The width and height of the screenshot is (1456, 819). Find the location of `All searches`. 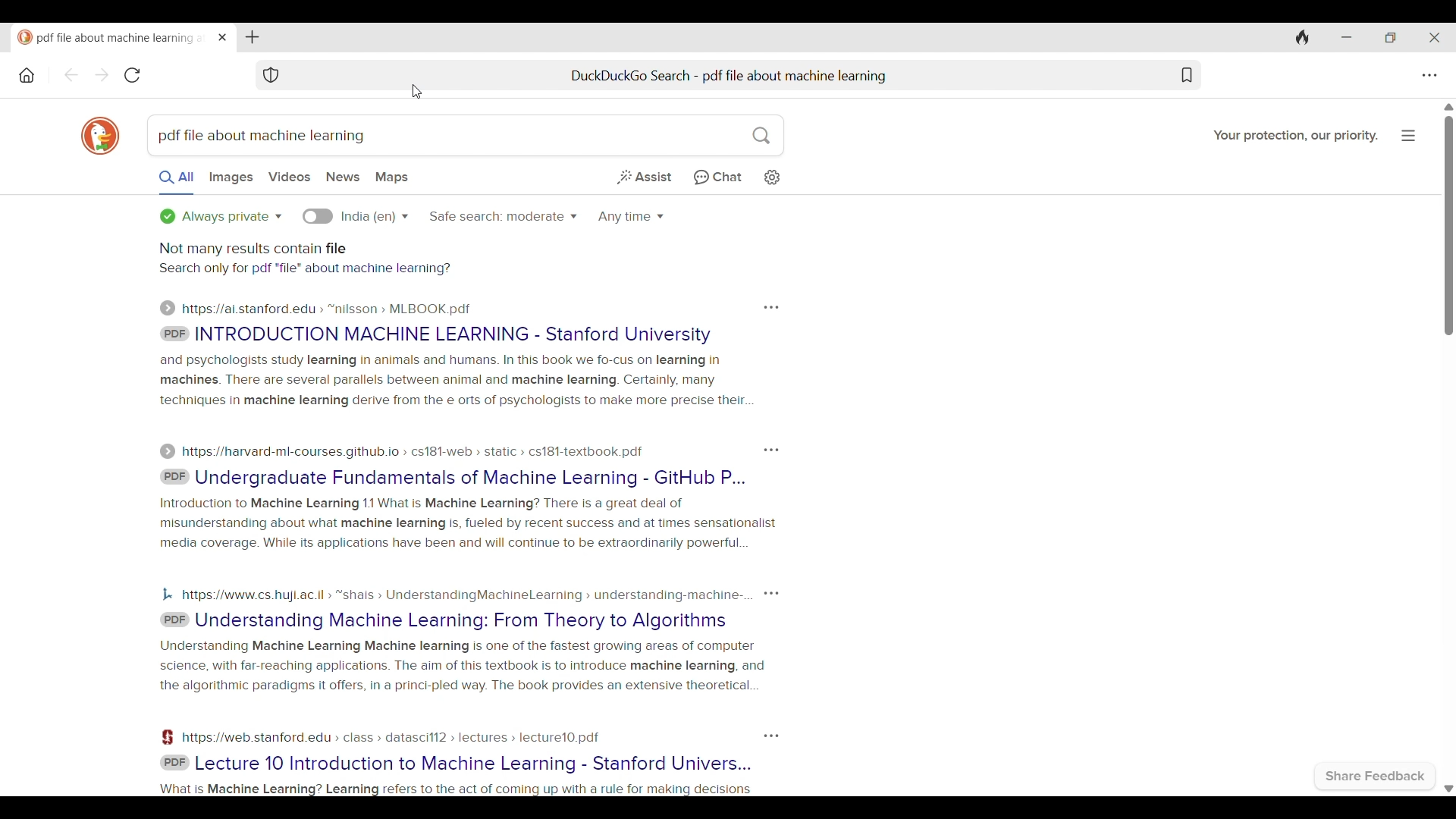

All searches is located at coordinates (177, 182).